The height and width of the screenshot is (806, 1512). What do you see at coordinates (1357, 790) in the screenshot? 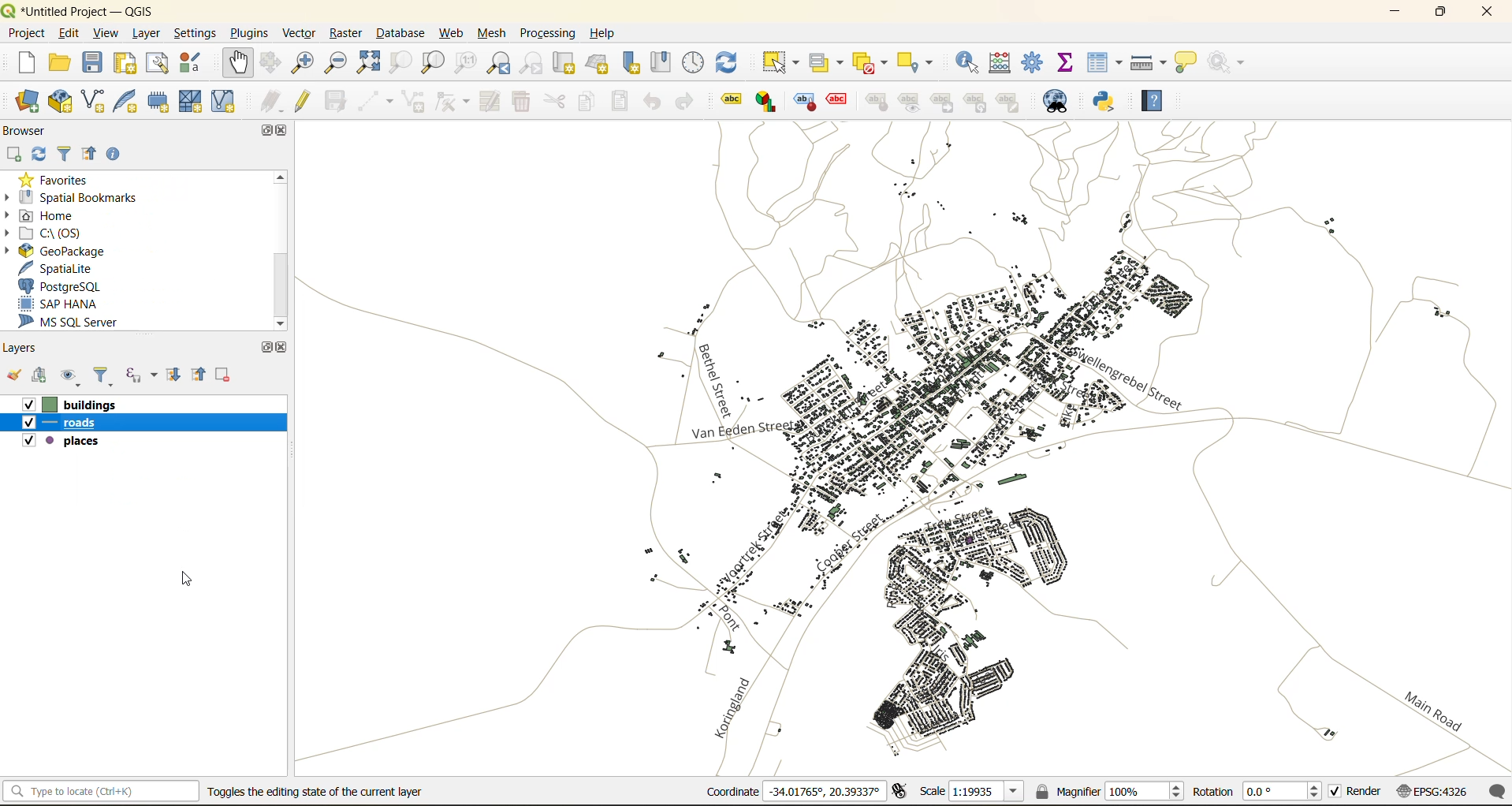
I see `render` at bounding box center [1357, 790].